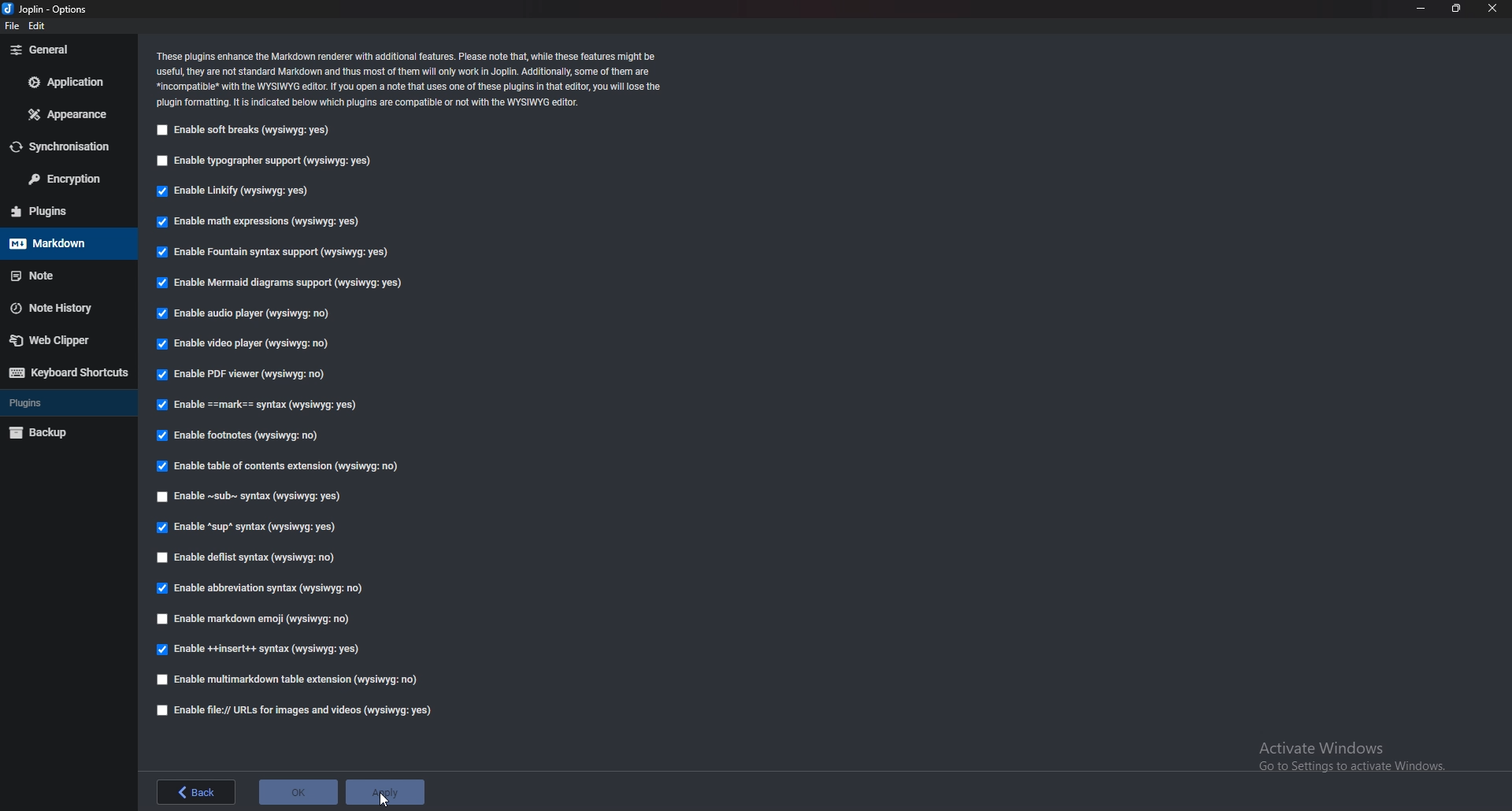  I want to click on cursor, so click(385, 799).